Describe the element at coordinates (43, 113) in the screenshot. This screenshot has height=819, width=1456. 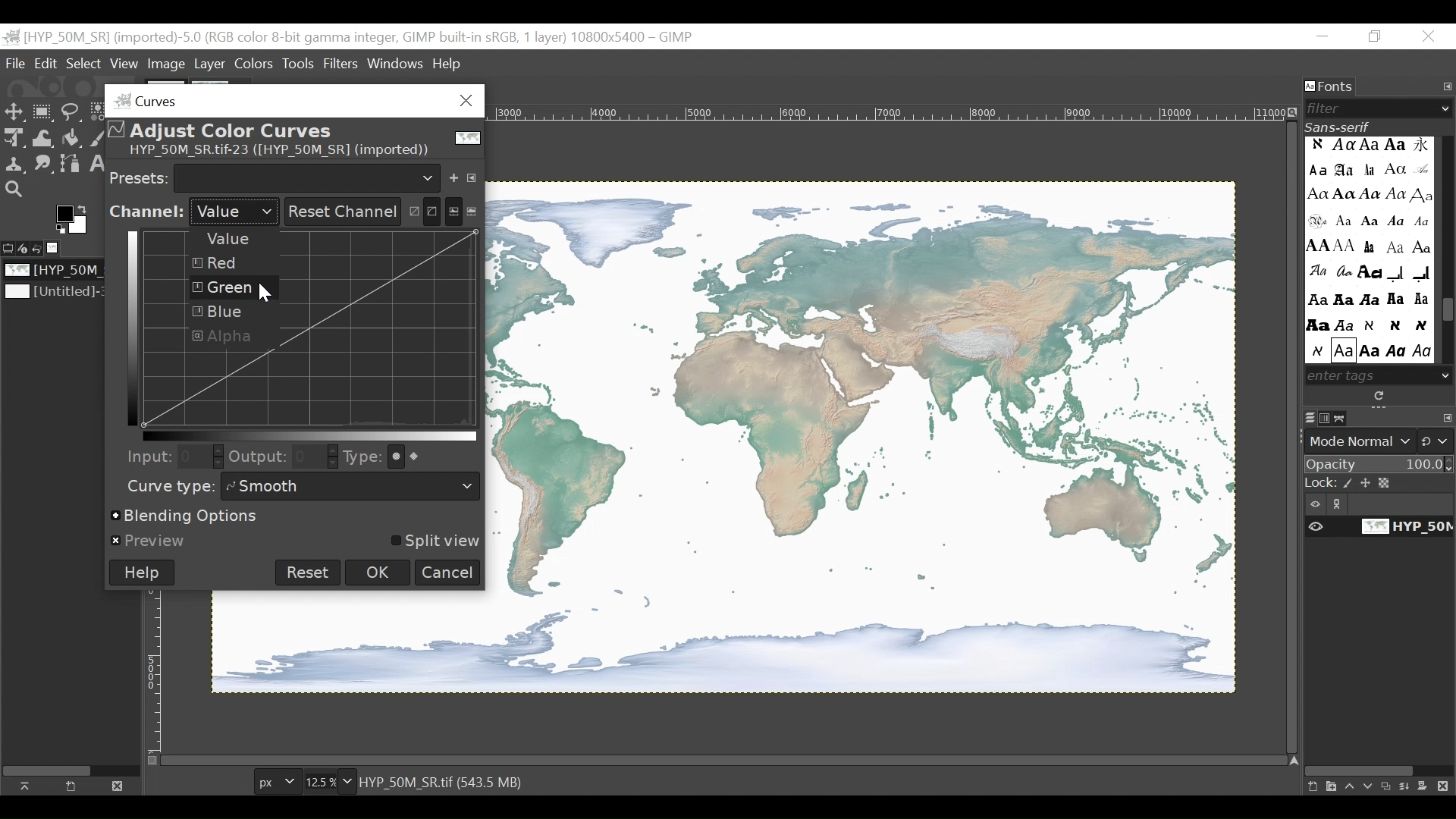
I see `Rectangle Select tool` at that location.